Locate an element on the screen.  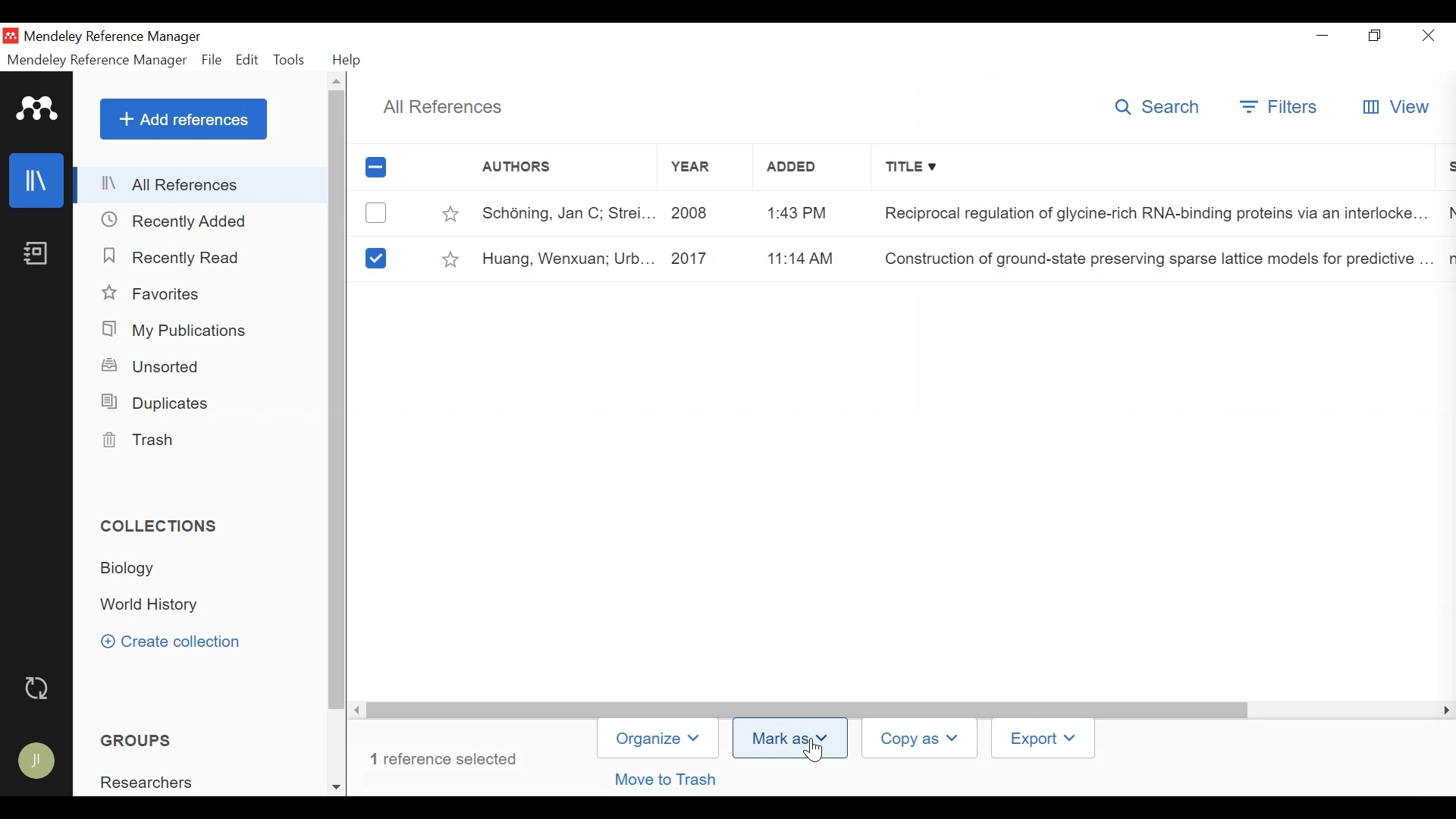
Help is located at coordinates (352, 60).